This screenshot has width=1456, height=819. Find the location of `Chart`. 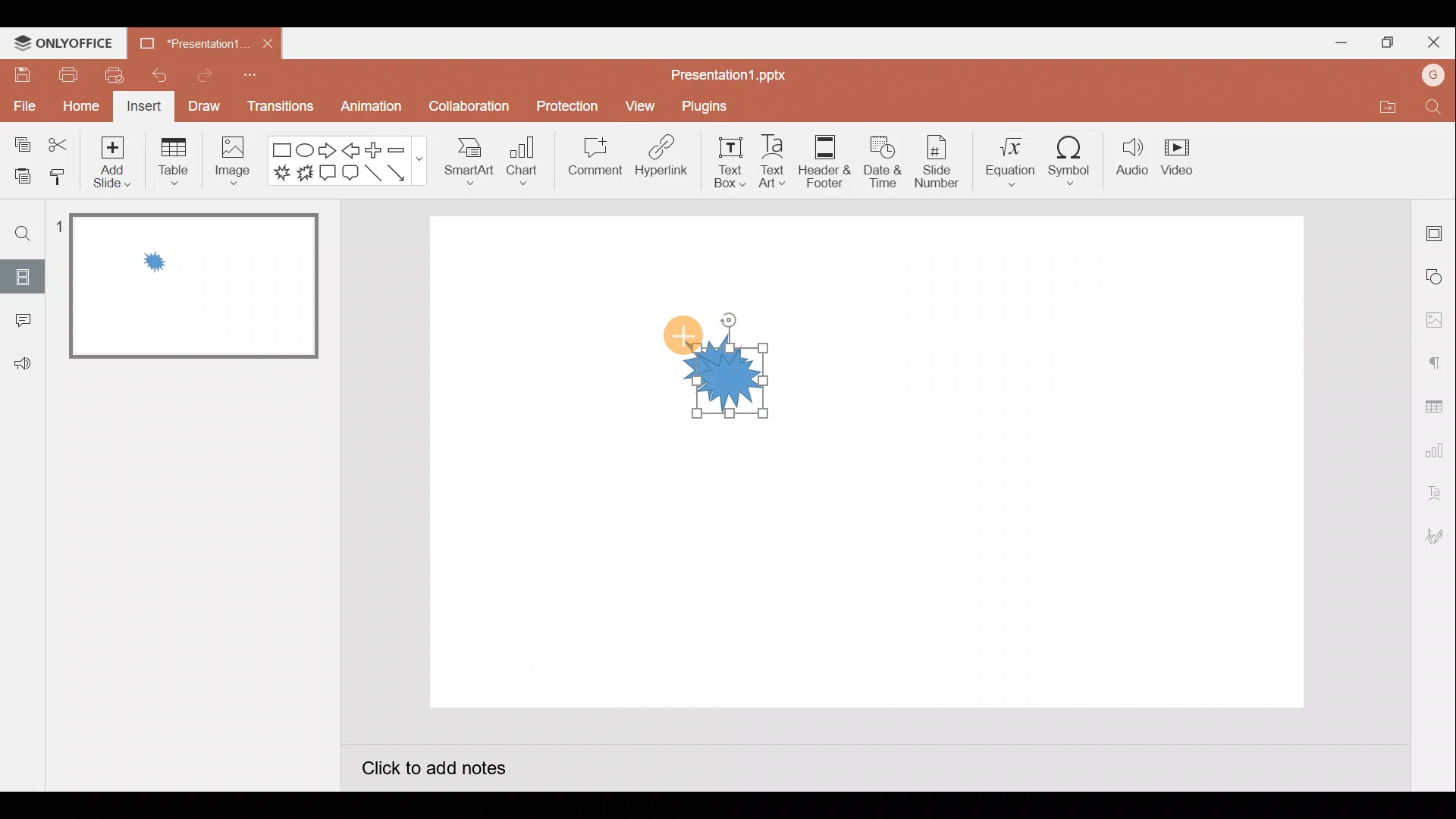

Chart is located at coordinates (529, 165).